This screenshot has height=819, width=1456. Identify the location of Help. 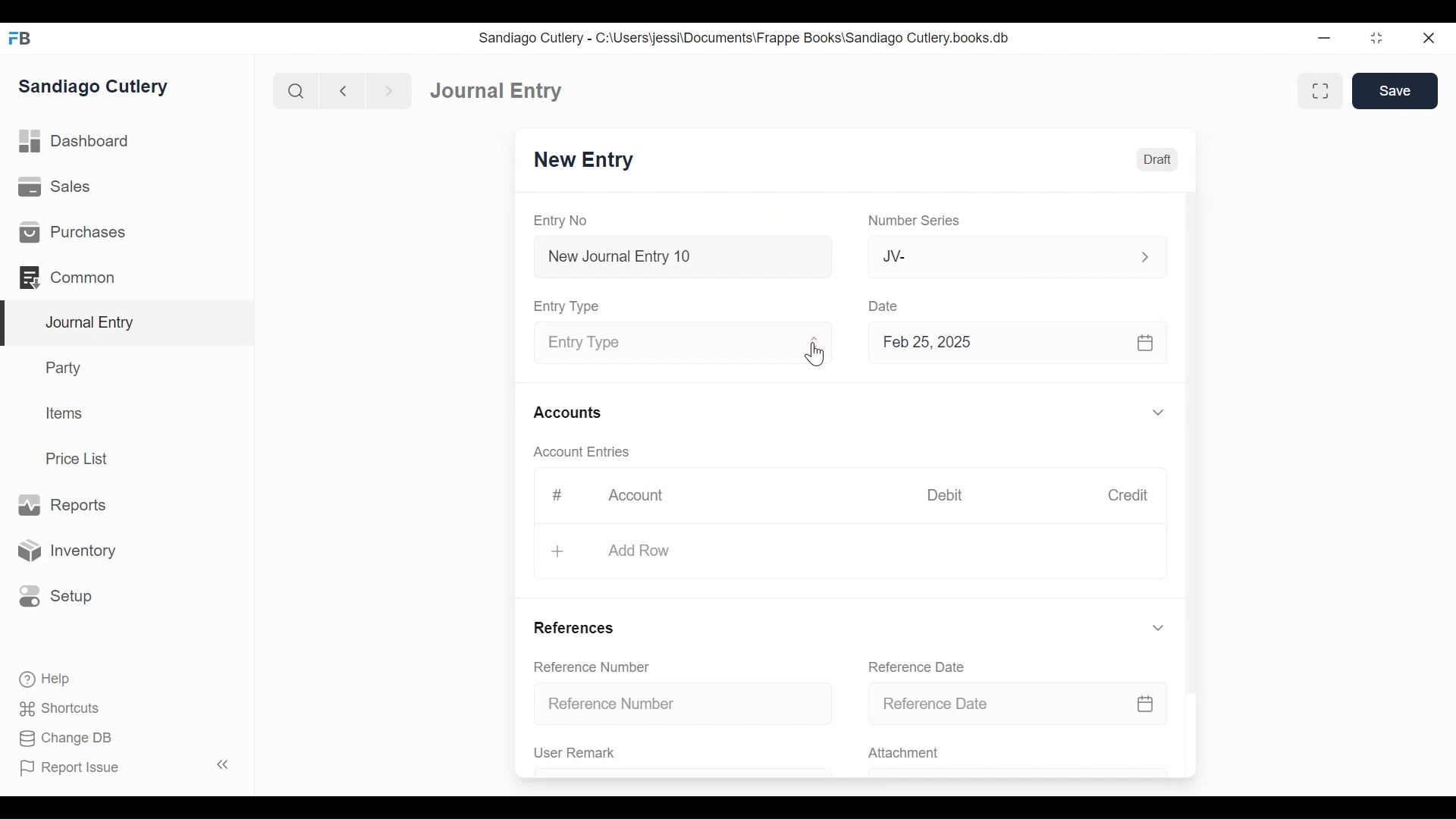
(42, 677).